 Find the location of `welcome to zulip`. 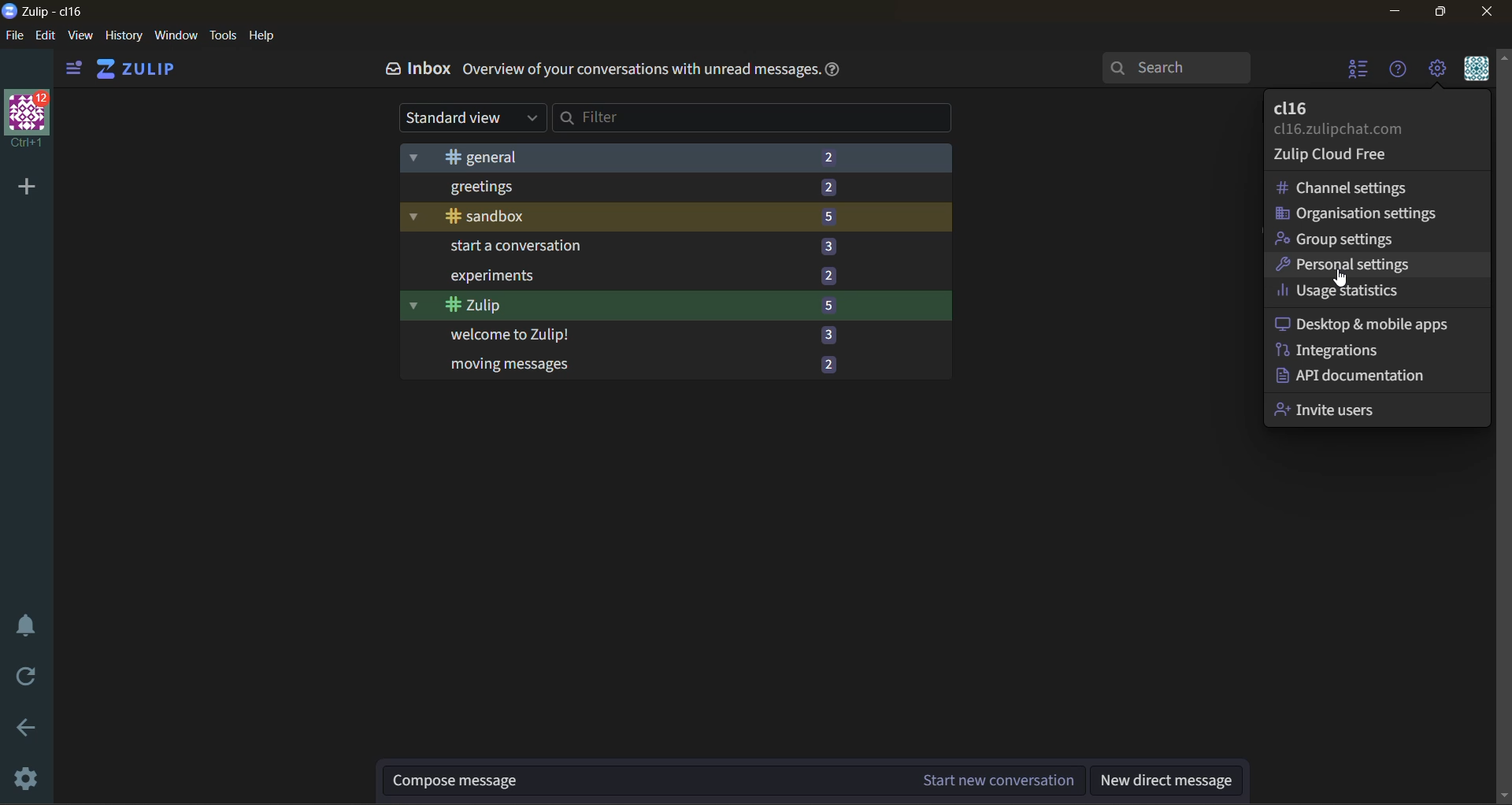

welcome to zulip is located at coordinates (624, 336).